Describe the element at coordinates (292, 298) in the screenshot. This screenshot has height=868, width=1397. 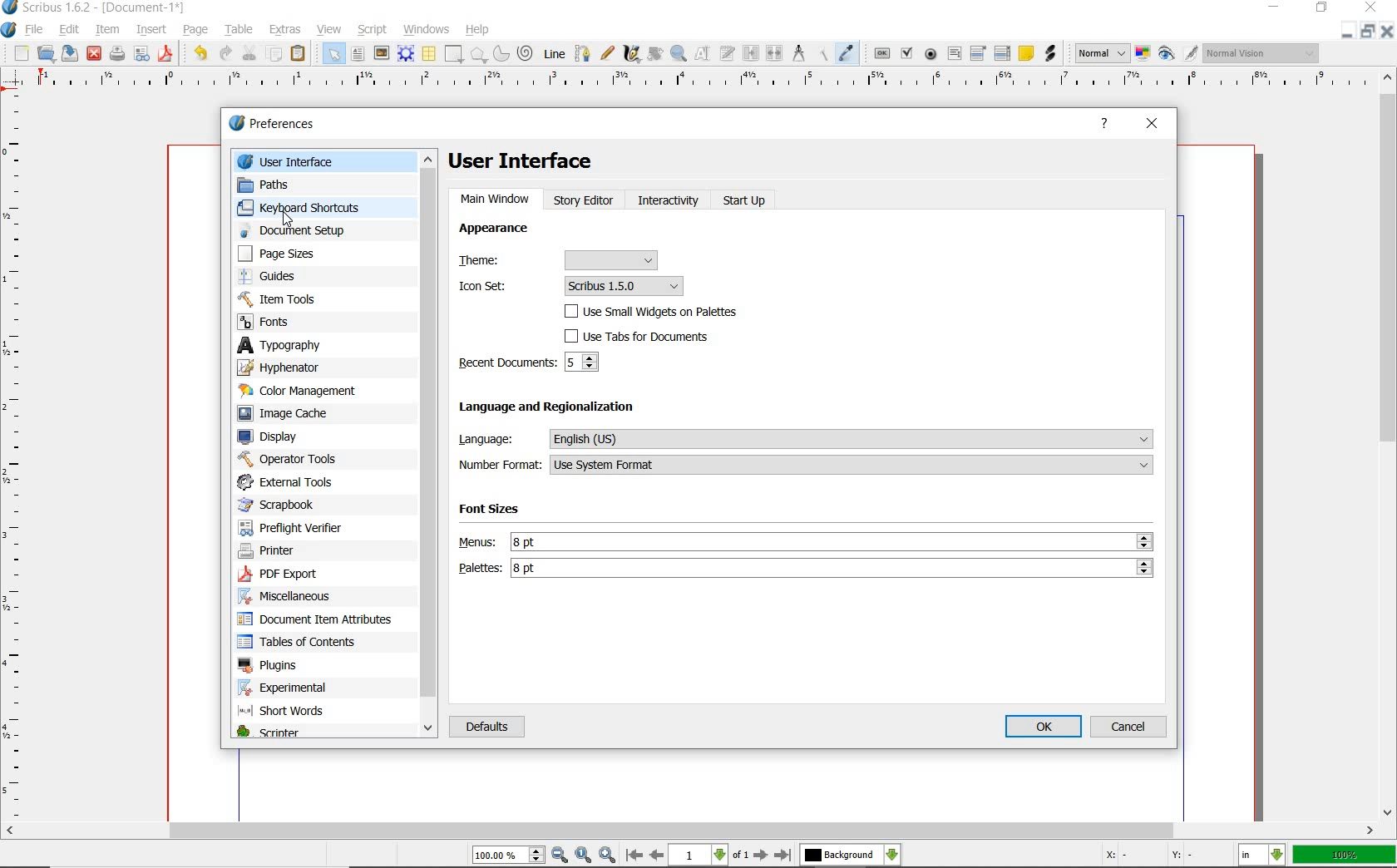
I see `item tools` at that location.